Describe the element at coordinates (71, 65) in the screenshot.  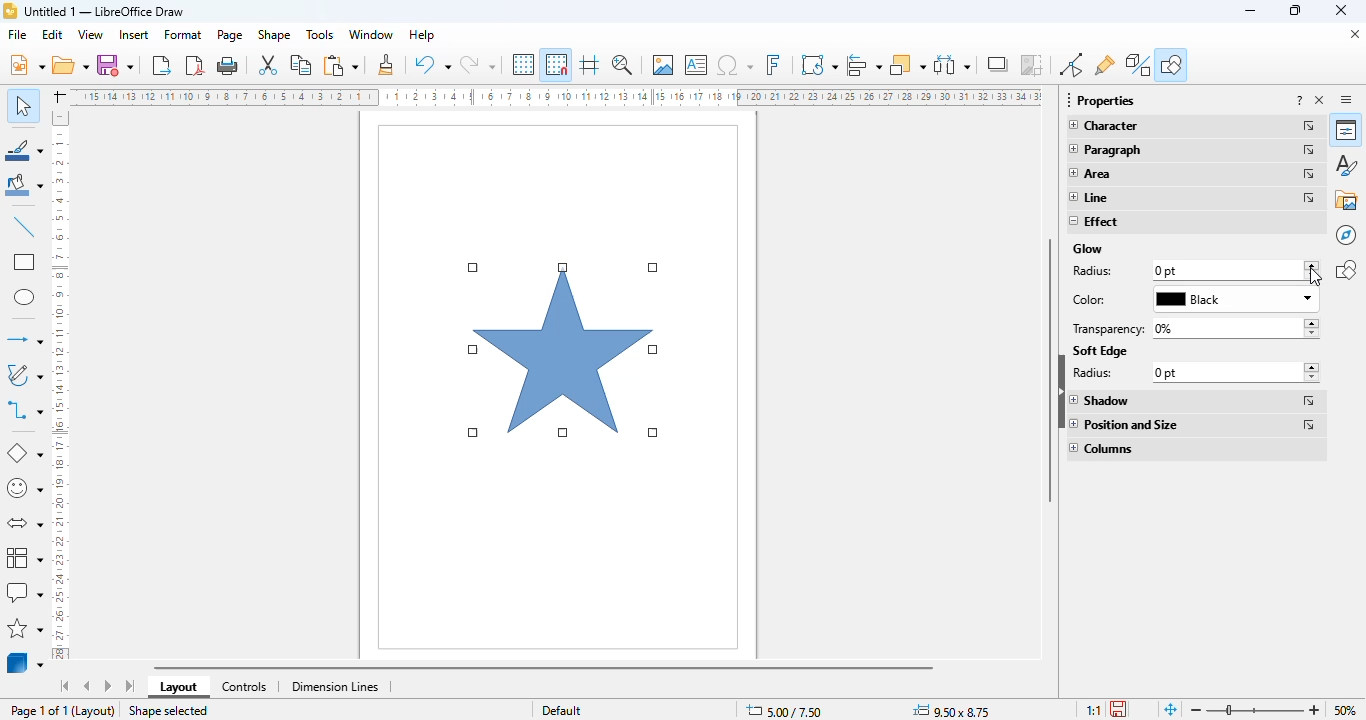
I see `open` at that location.